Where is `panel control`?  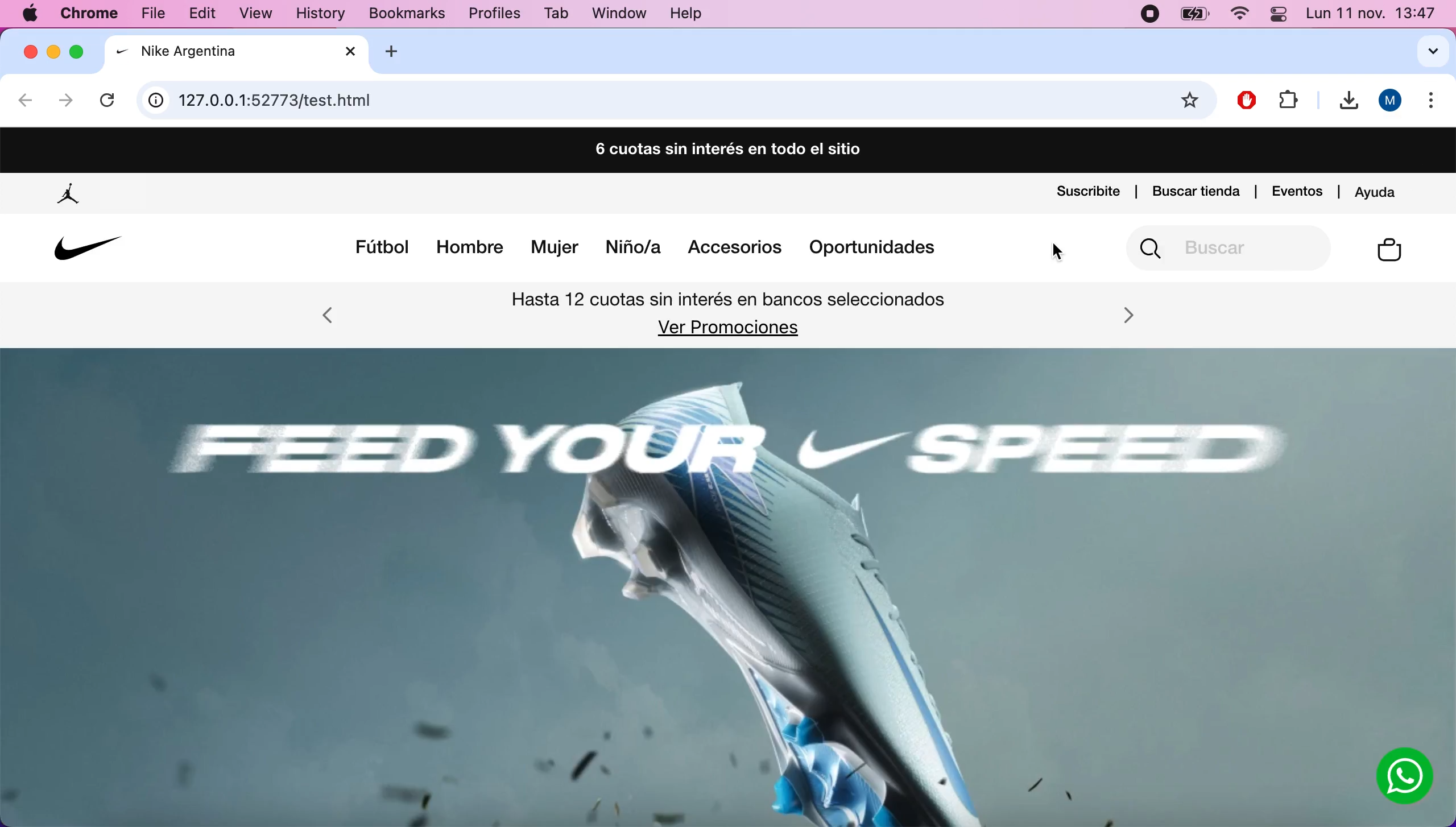 panel control is located at coordinates (1277, 14).